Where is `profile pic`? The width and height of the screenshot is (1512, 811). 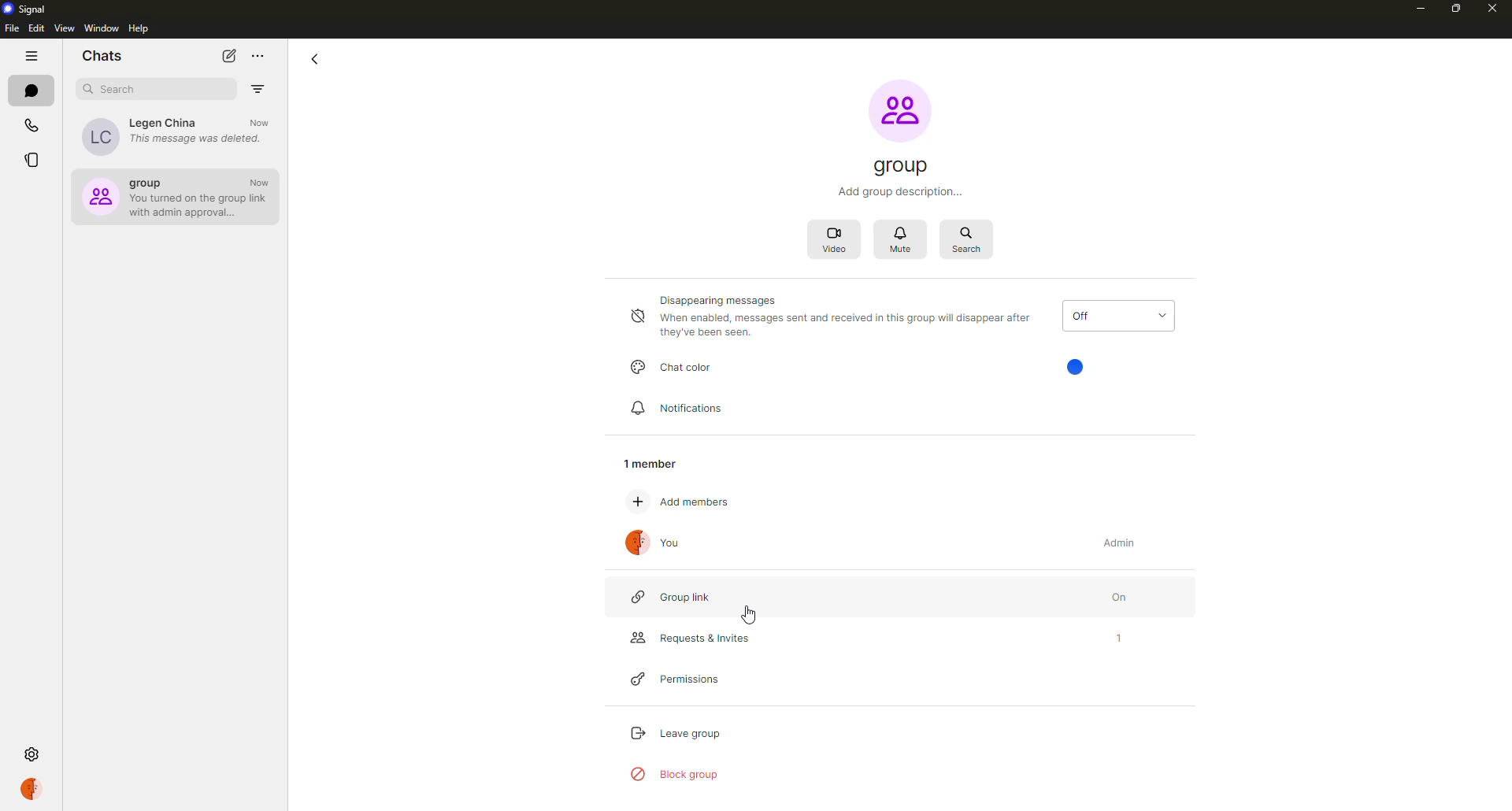
profile pic is located at coordinates (900, 111).